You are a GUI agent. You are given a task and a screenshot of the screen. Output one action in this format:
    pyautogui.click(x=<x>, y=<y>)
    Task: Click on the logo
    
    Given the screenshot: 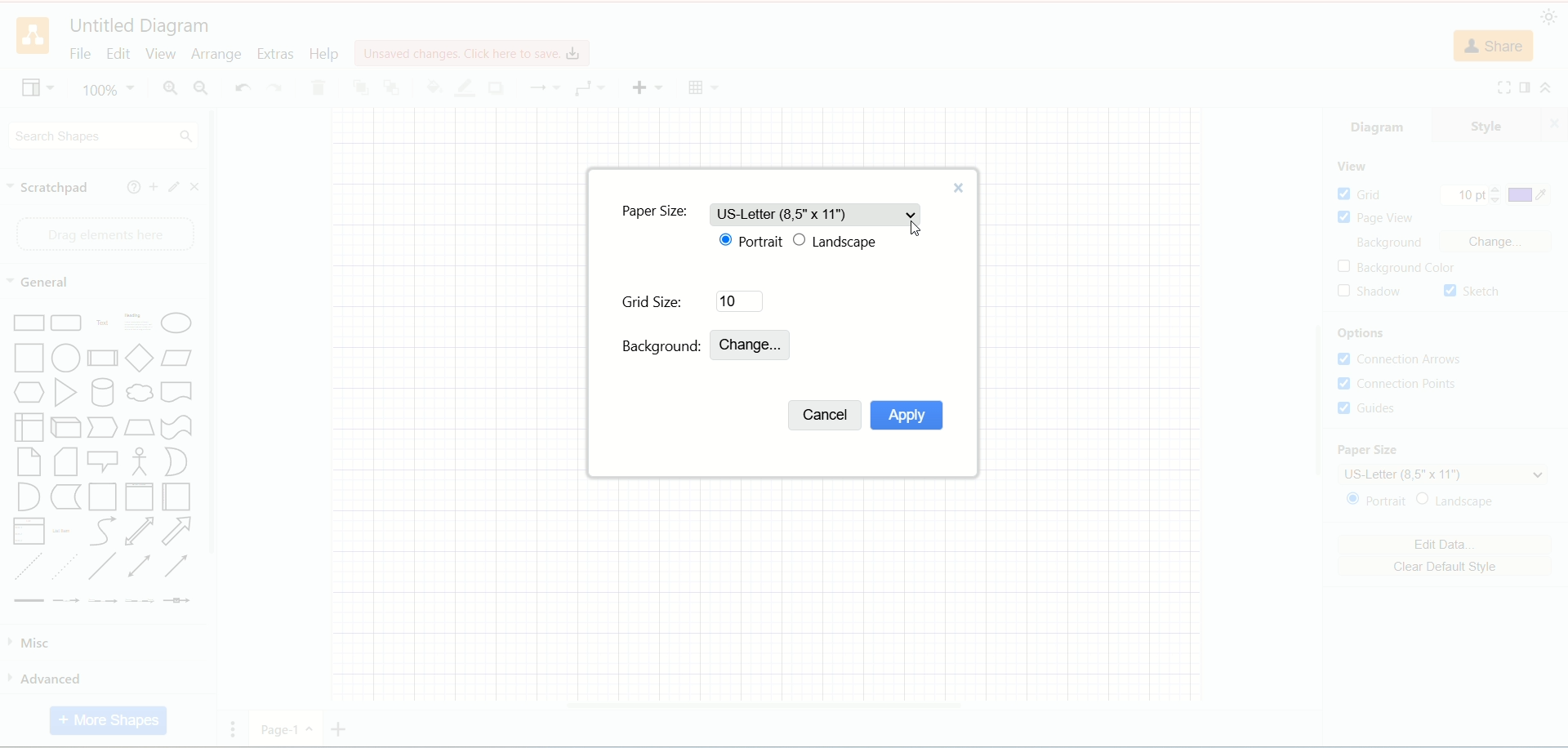 What is the action you would take?
    pyautogui.click(x=33, y=37)
    